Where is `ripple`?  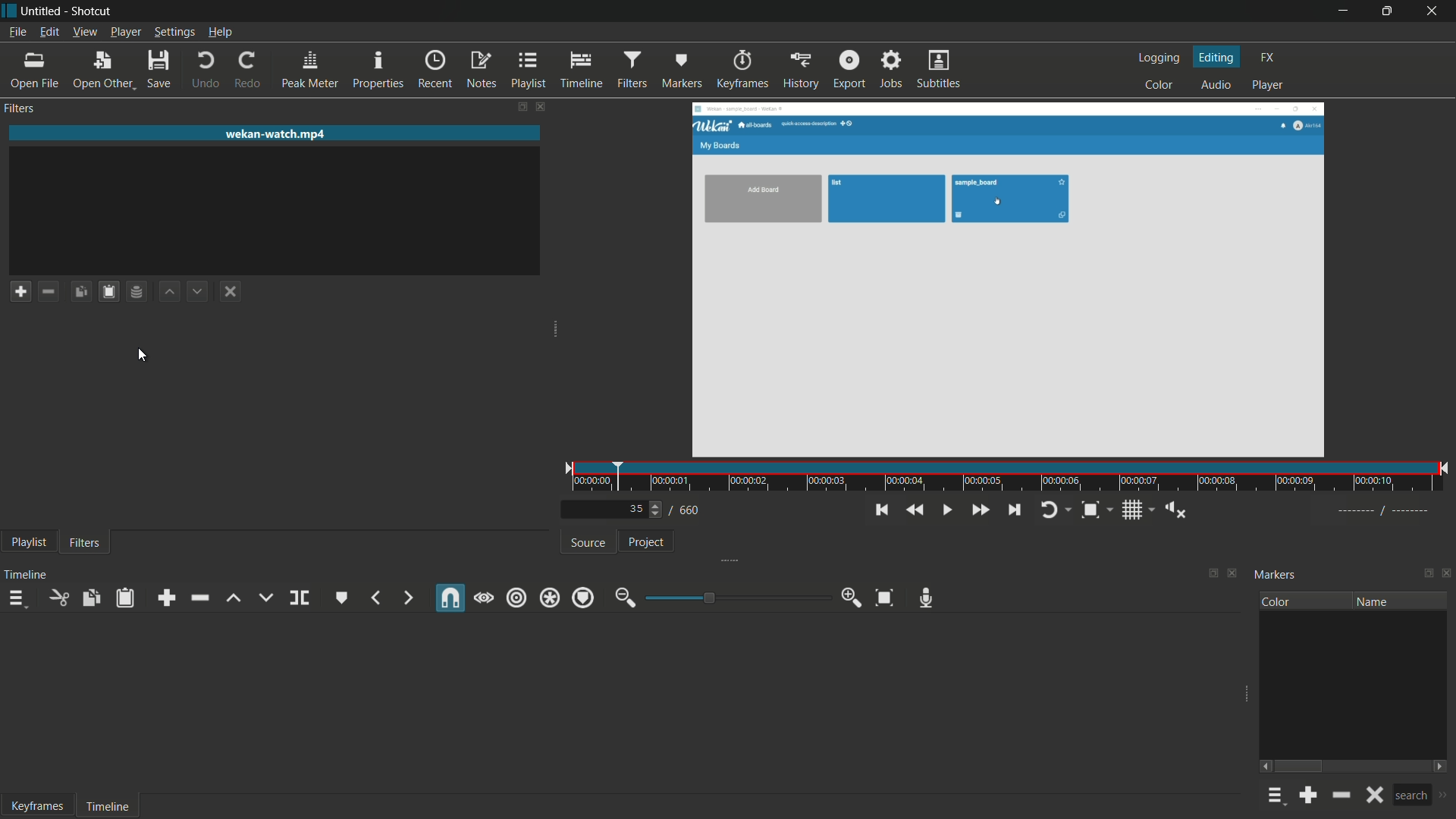 ripple is located at coordinates (517, 598).